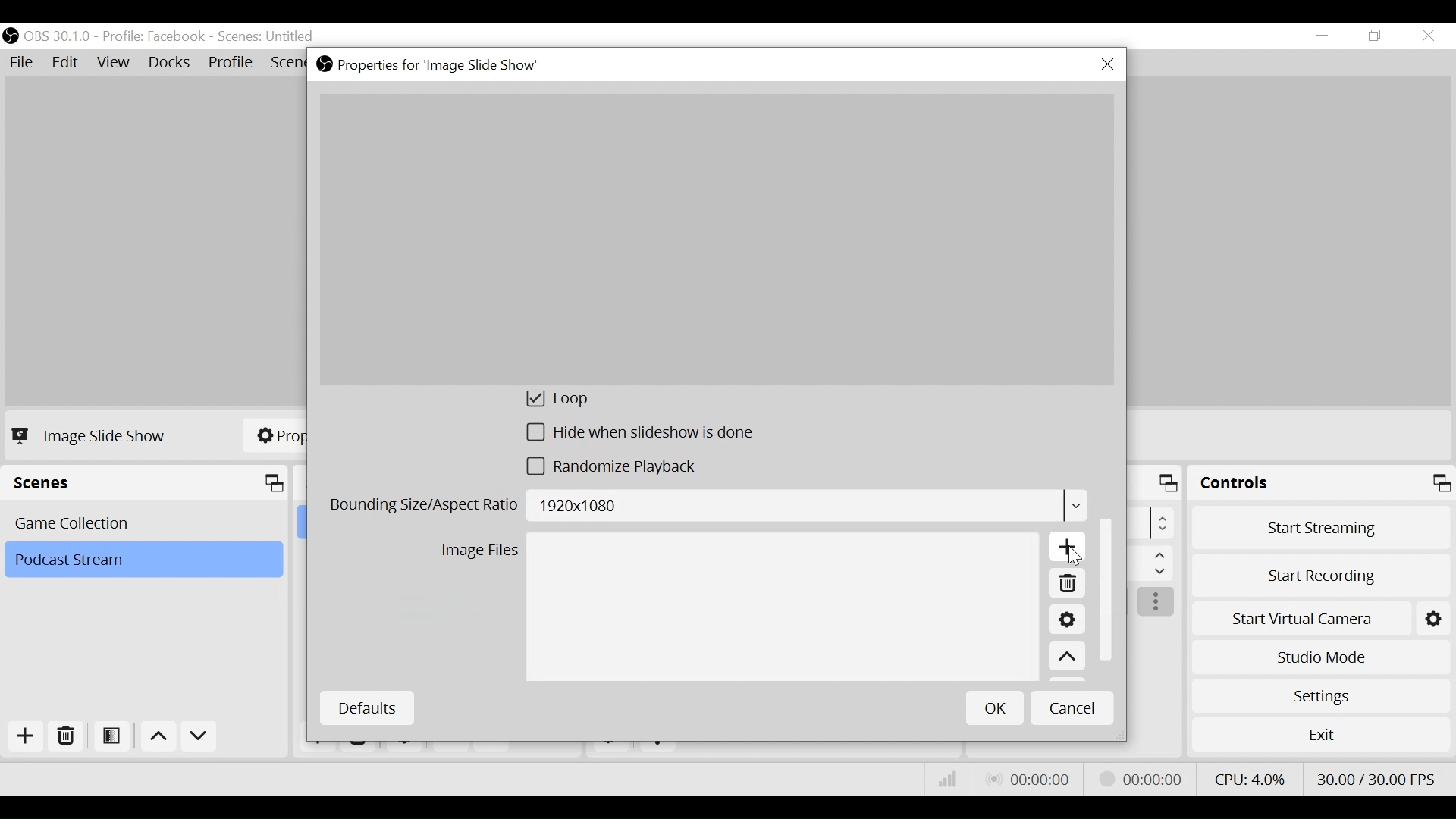 This screenshot has width=1456, height=819. Describe the element at coordinates (1157, 603) in the screenshot. I see `more options` at that location.